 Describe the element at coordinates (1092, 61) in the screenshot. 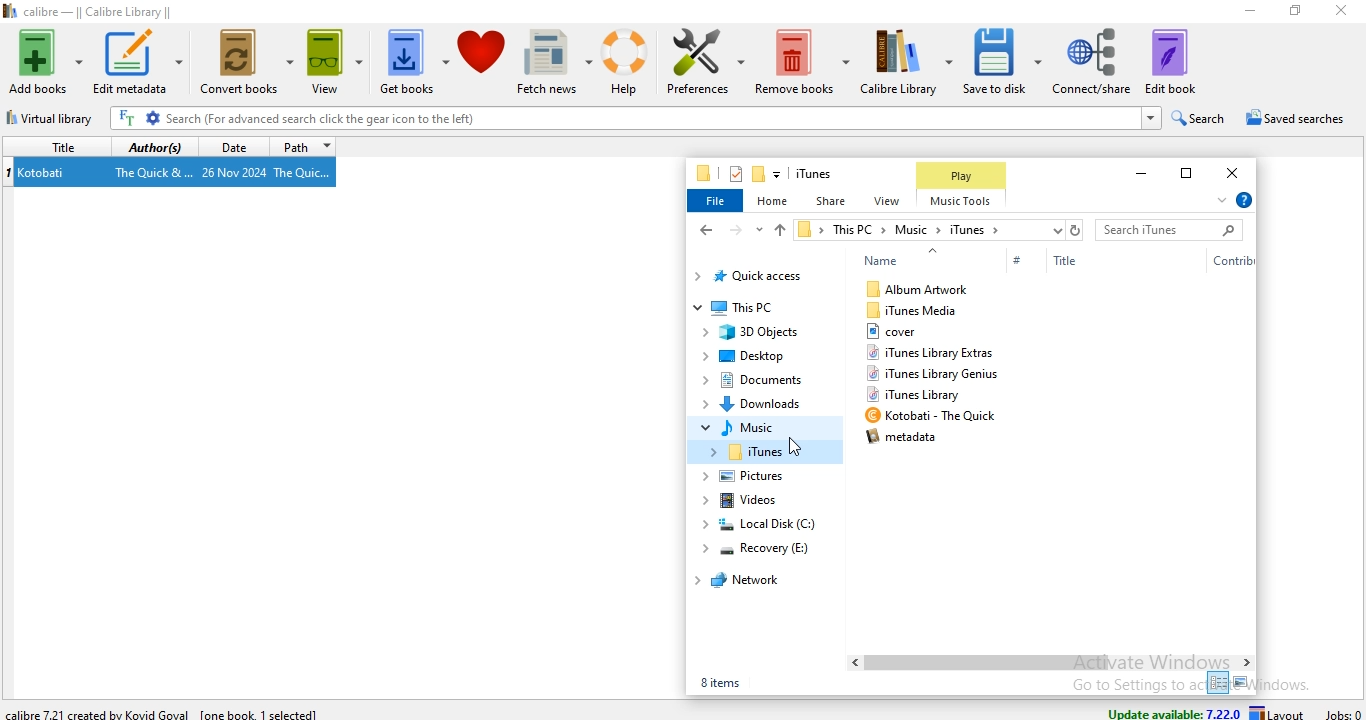

I see `connect/share` at that location.